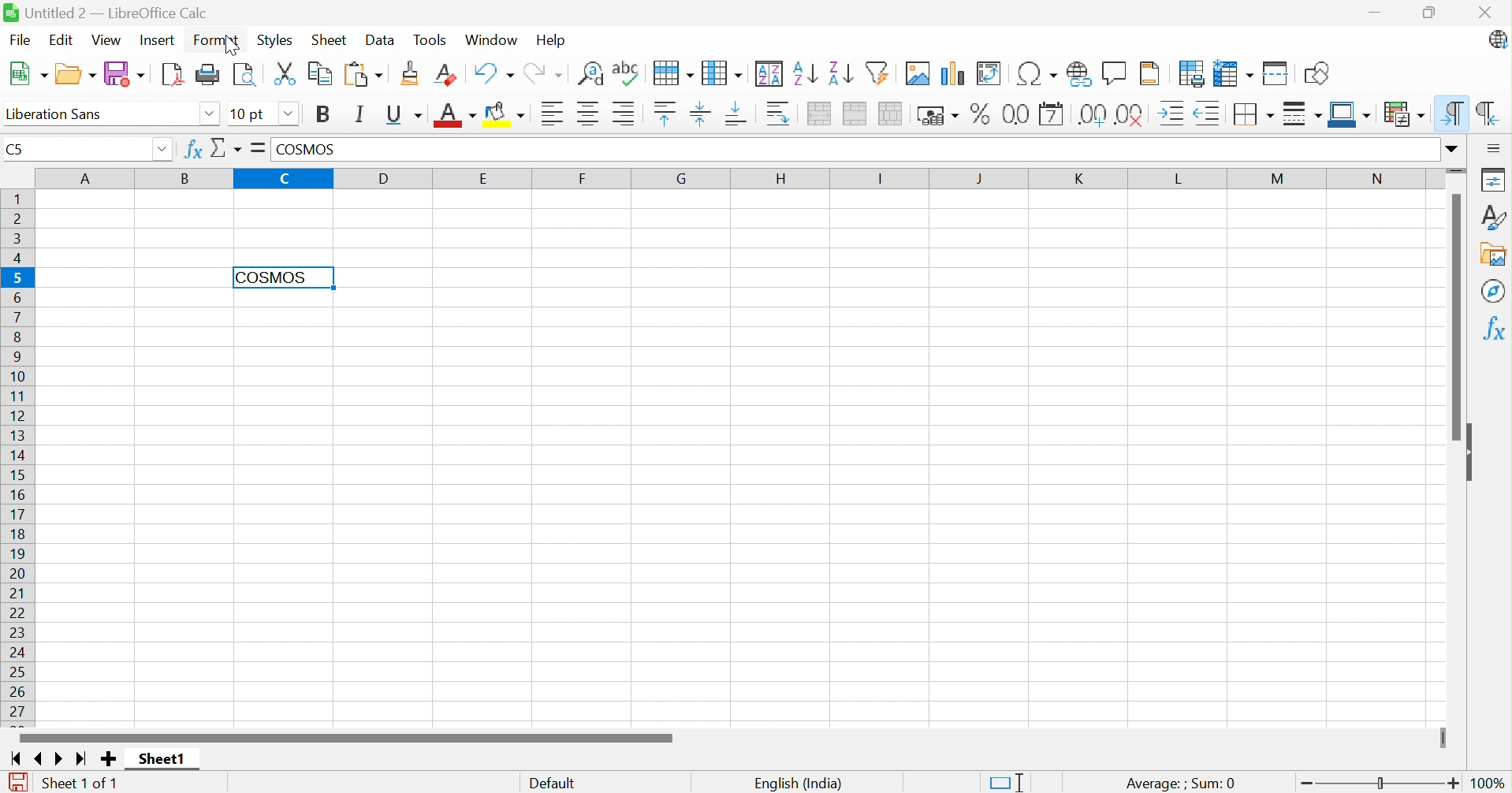 The width and height of the screenshot is (1512, 793). What do you see at coordinates (106, 13) in the screenshot?
I see `Untitled 4 - LibreOffice Calc` at bounding box center [106, 13].